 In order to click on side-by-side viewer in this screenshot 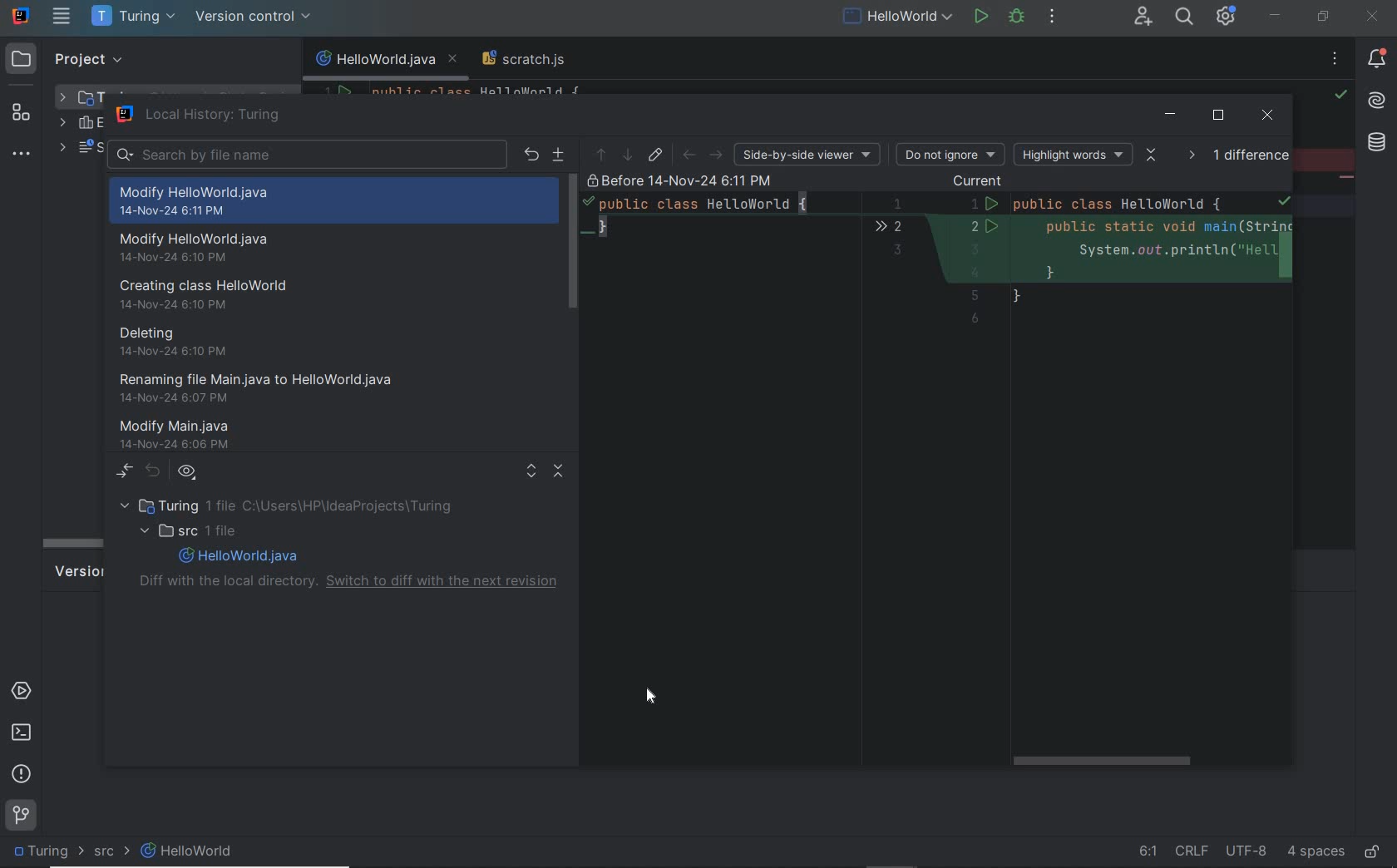, I will do `click(810, 153)`.